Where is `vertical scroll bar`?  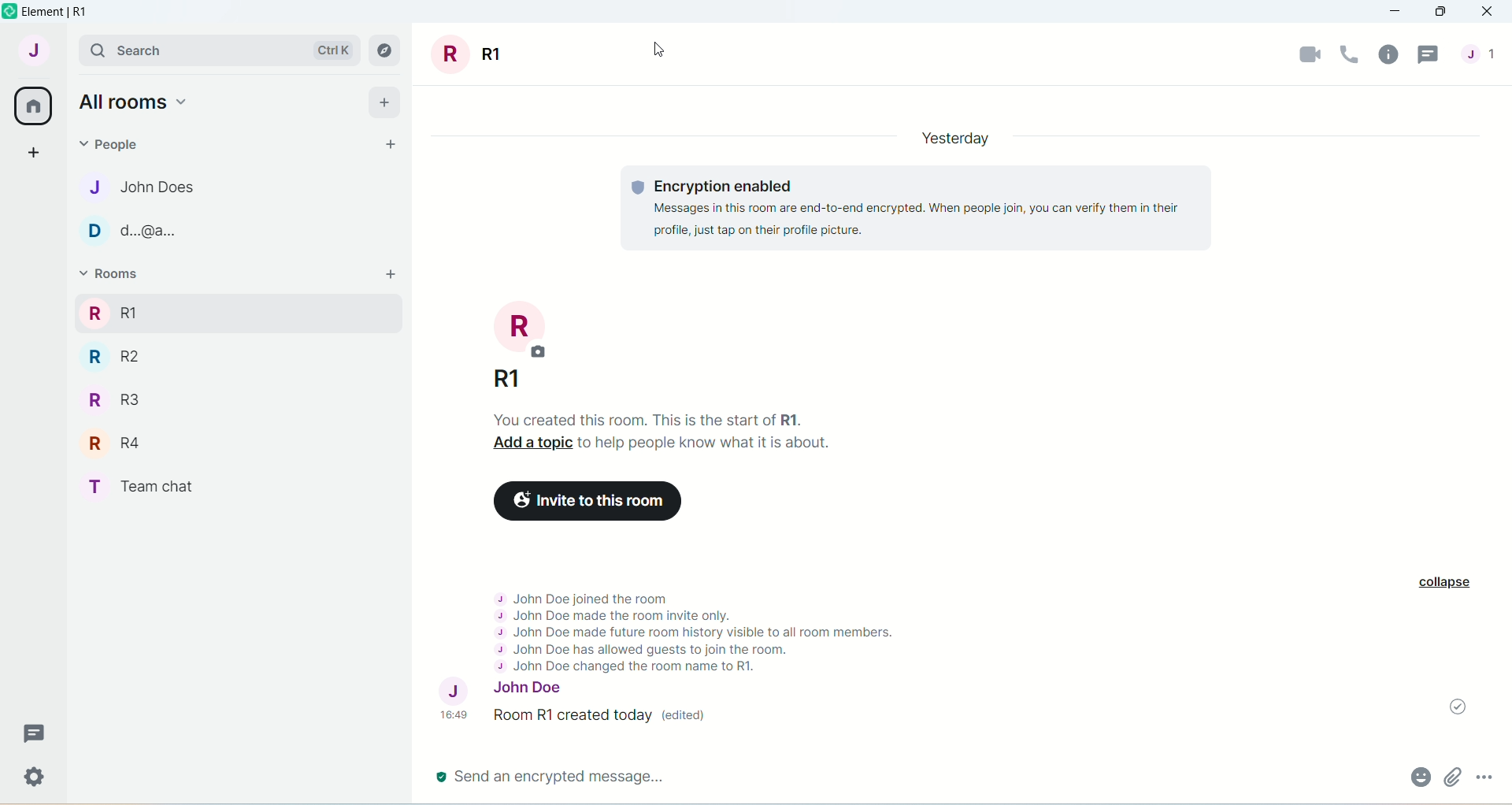
vertical scroll bar is located at coordinates (1503, 422).